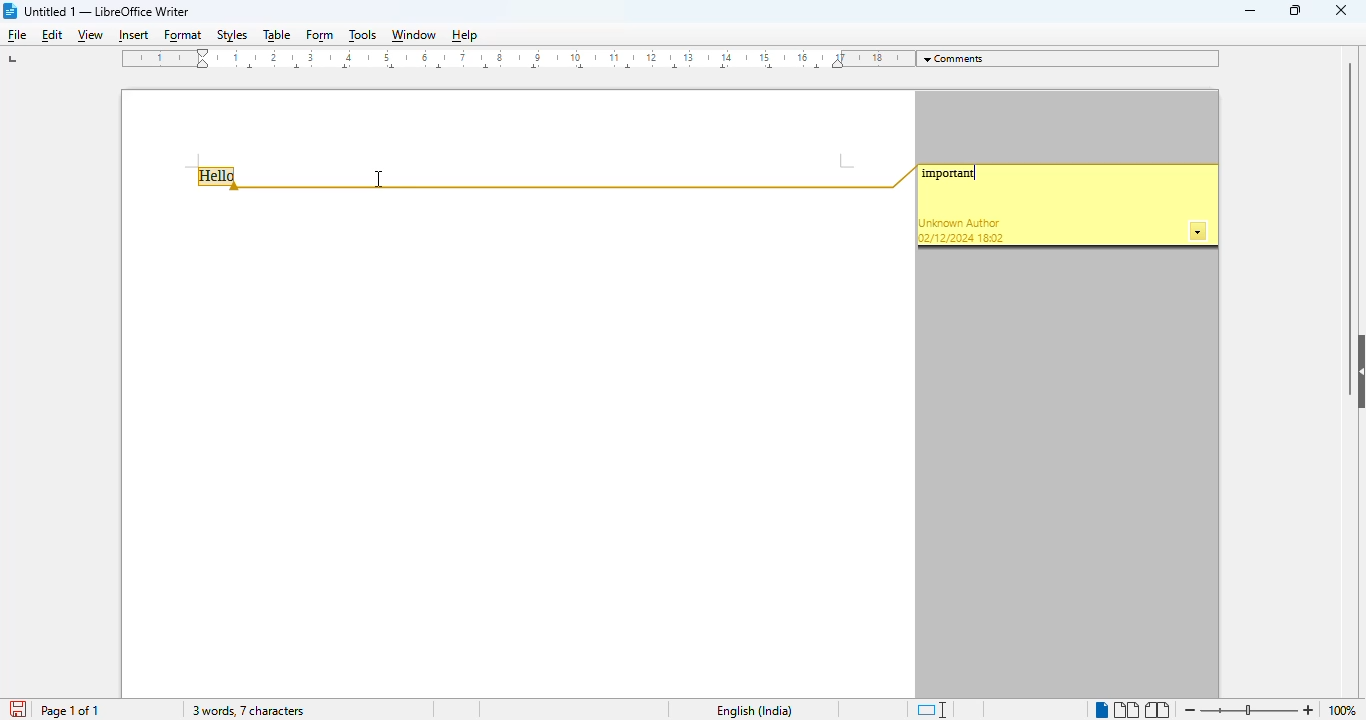 The image size is (1366, 720). I want to click on logo, so click(11, 11).